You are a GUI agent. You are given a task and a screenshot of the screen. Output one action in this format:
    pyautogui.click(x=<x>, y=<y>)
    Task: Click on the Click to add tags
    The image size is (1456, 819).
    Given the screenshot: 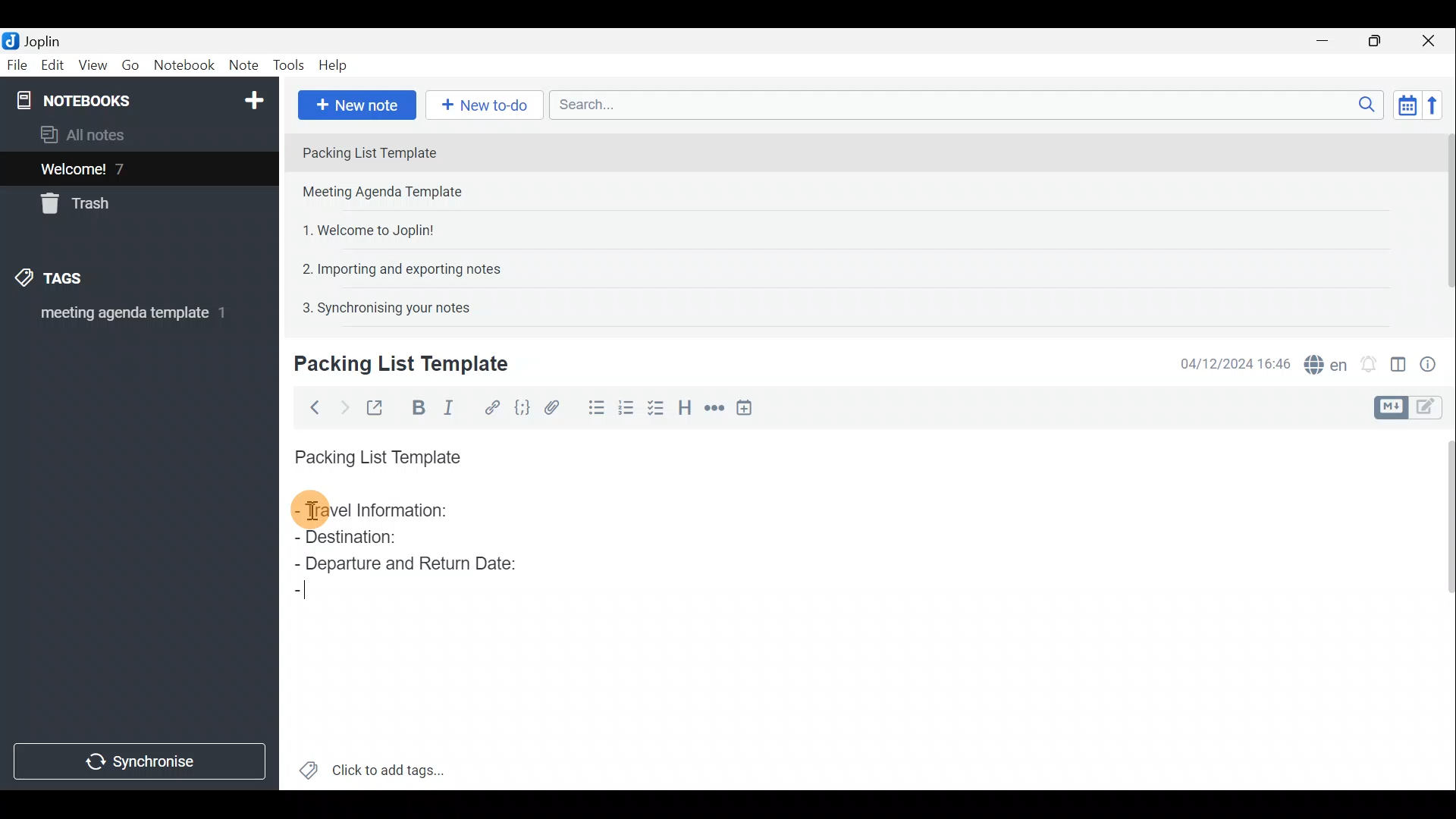 What is the action you would take?
    pyautogui.click(x=372, y=766)
    